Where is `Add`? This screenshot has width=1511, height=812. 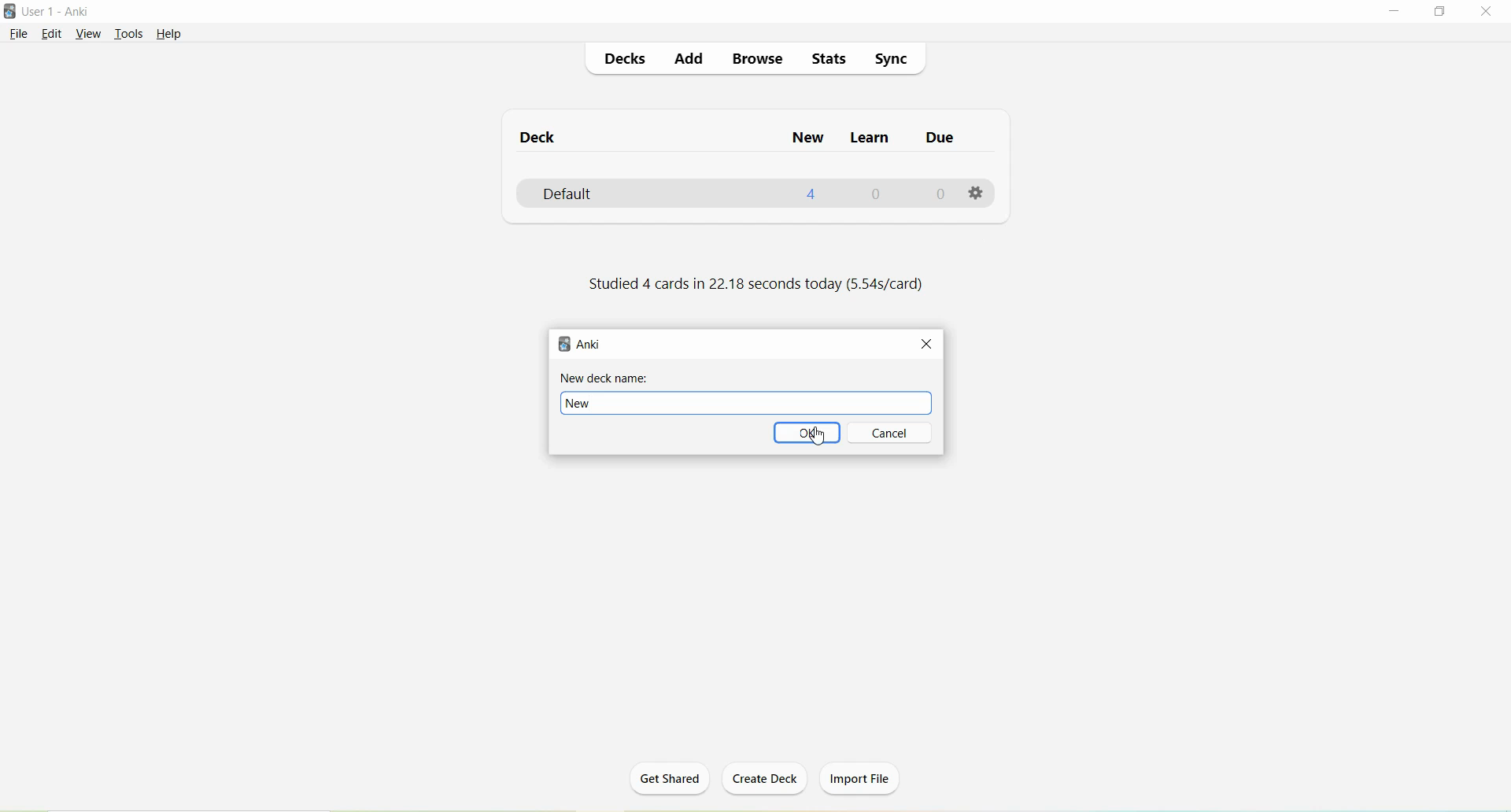
Add is located at coordinates (690, 59).